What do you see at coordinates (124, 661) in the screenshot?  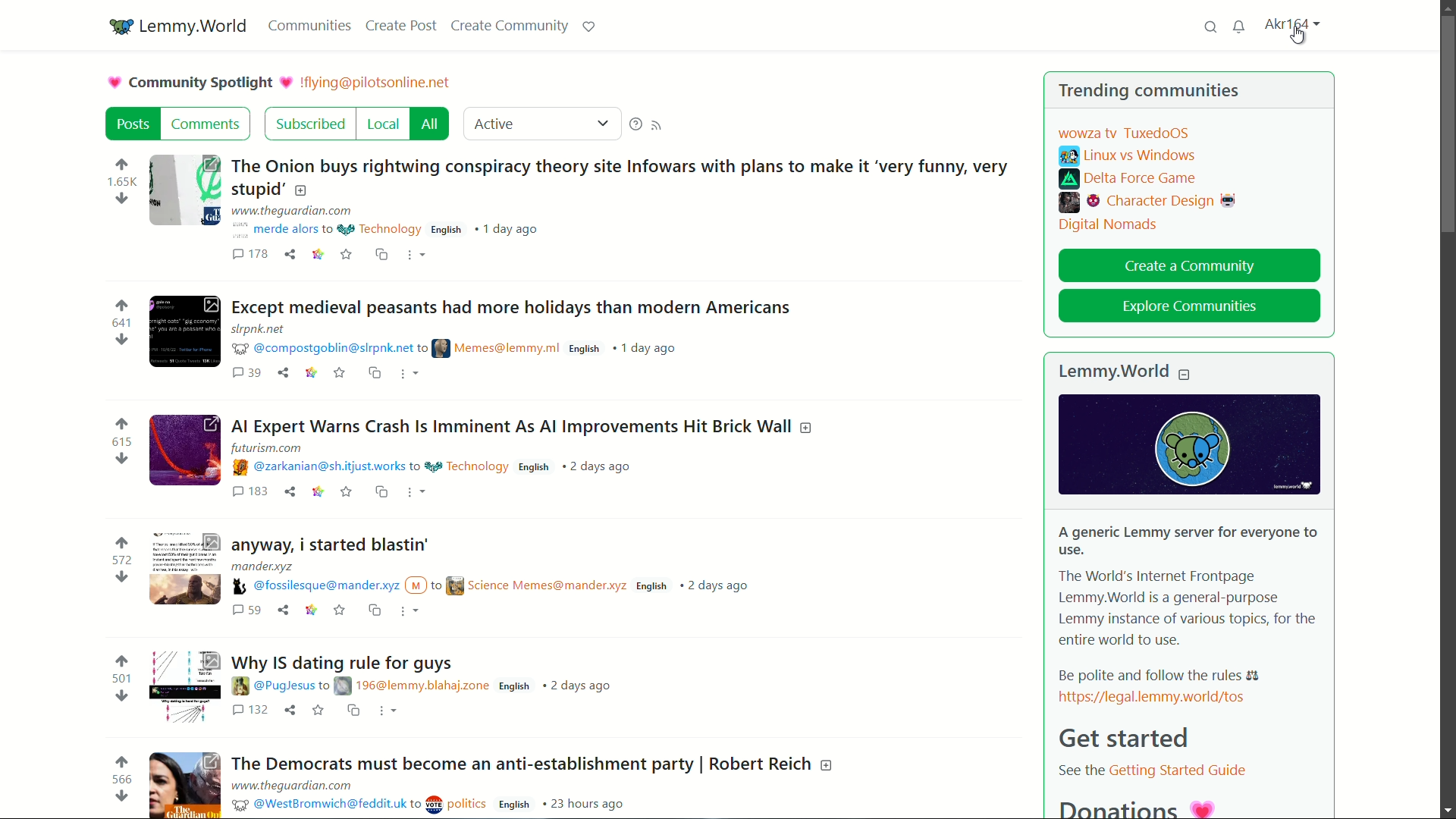 I see `upvote` at bounding box center [124, 661].